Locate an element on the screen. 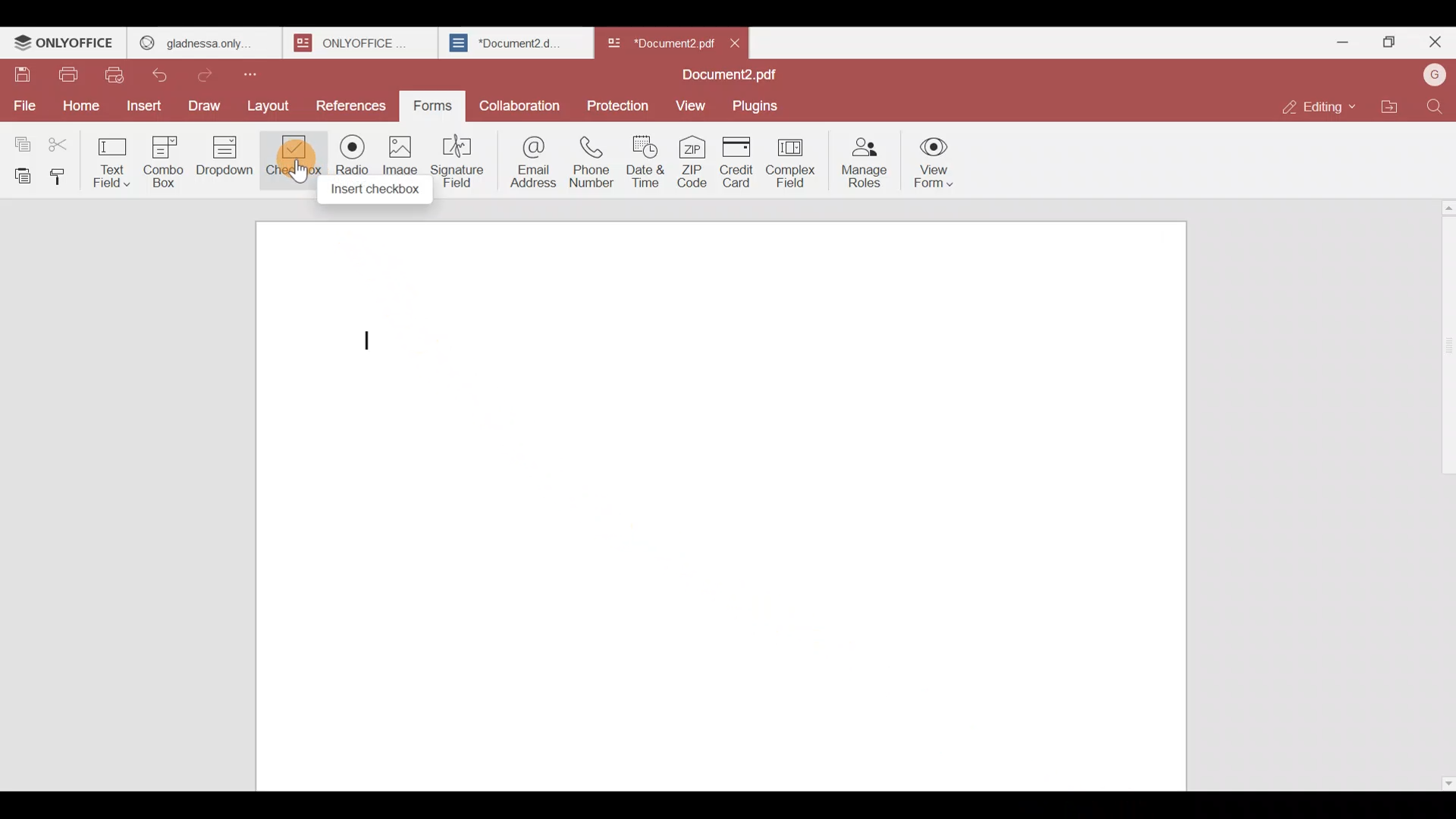  Close is located at coordinates (742, 42).